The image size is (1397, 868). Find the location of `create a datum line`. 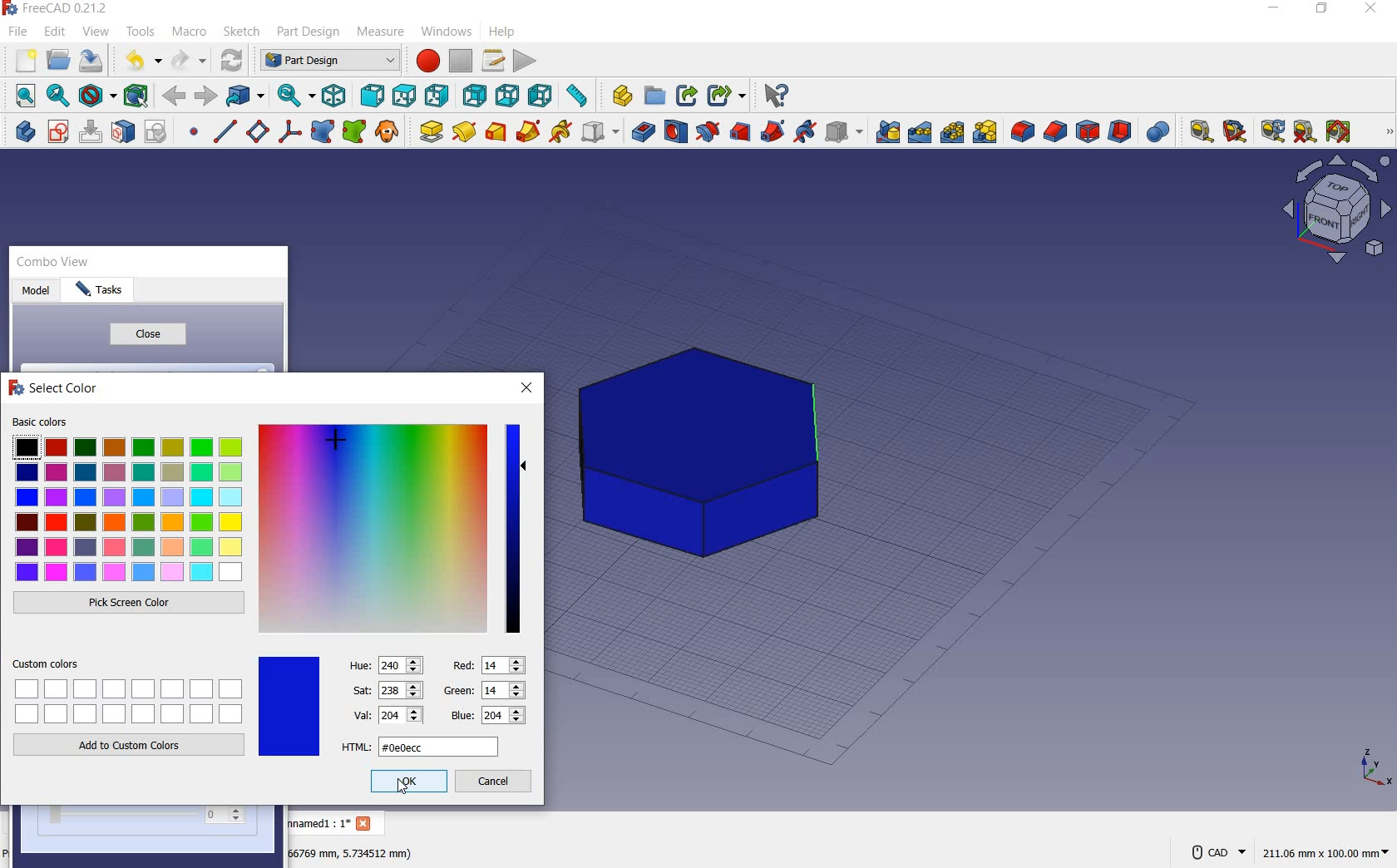

create a datum line is located at coordinates (223, 131).